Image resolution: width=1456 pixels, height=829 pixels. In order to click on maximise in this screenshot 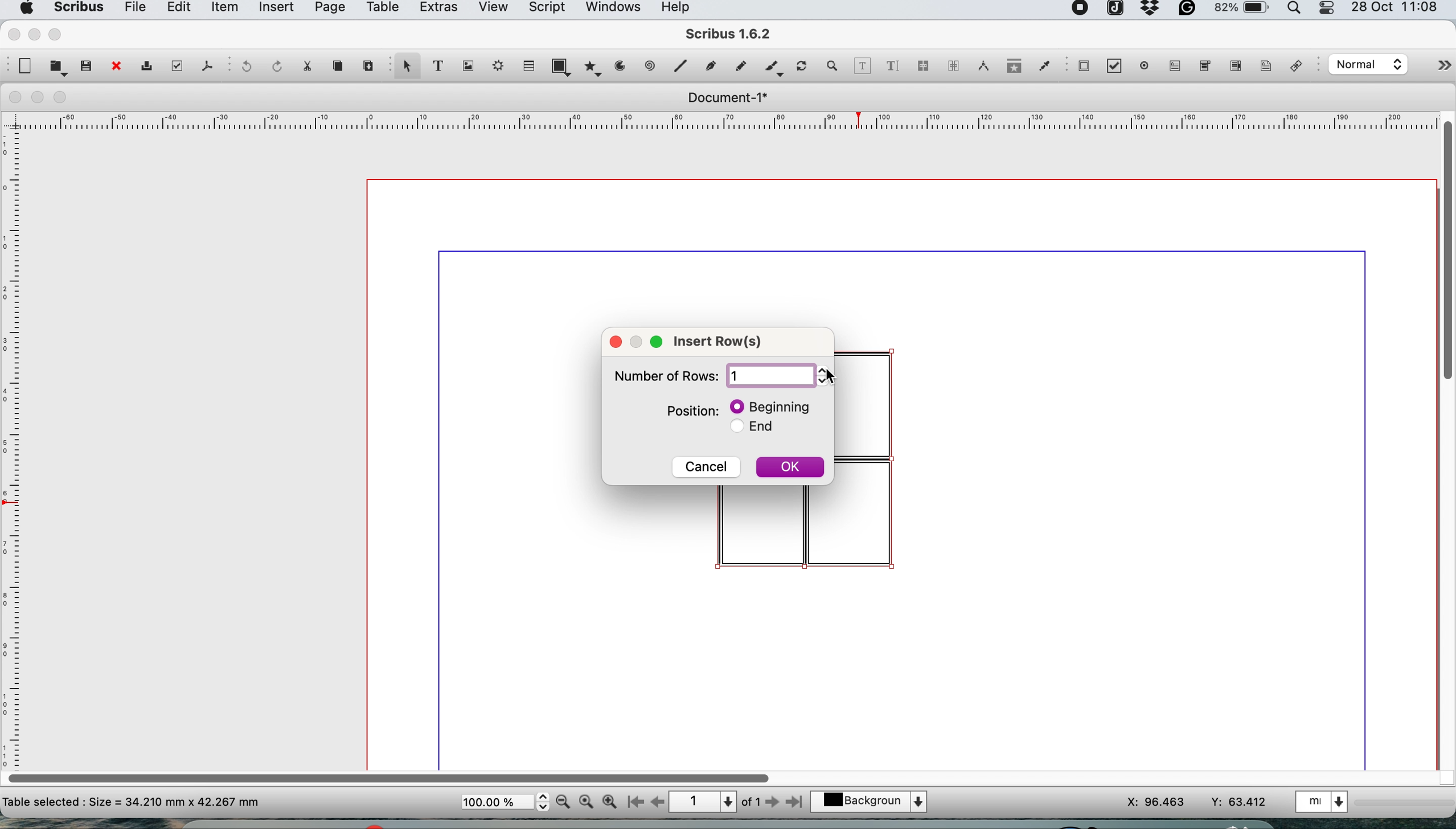, I will do `click(58, 34)`.